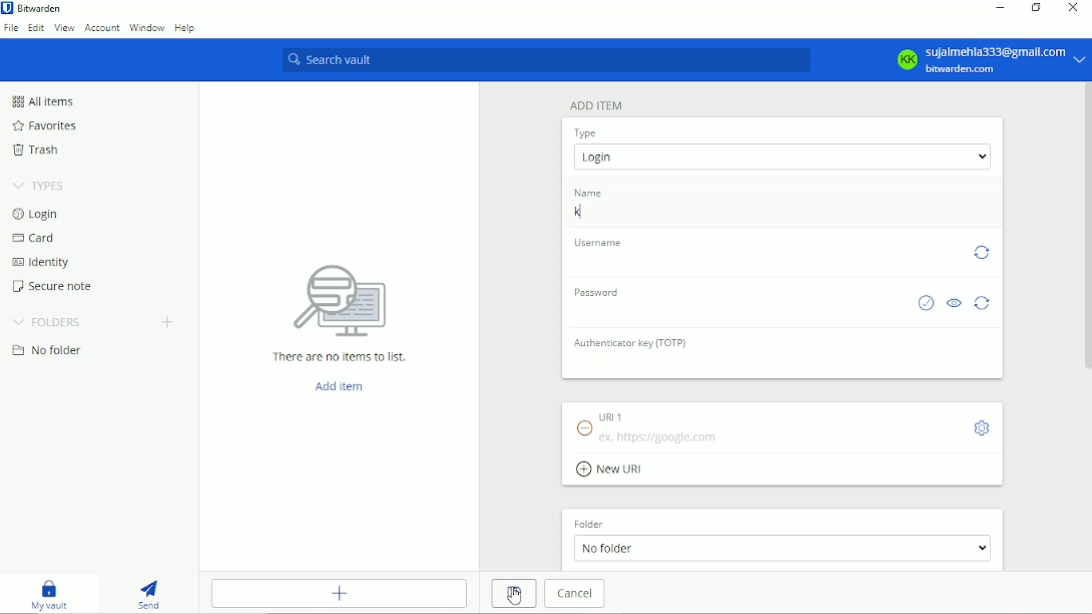 The height and width of the screenshot is (614, 1092). I want to click on Add item, so click(596, 105).